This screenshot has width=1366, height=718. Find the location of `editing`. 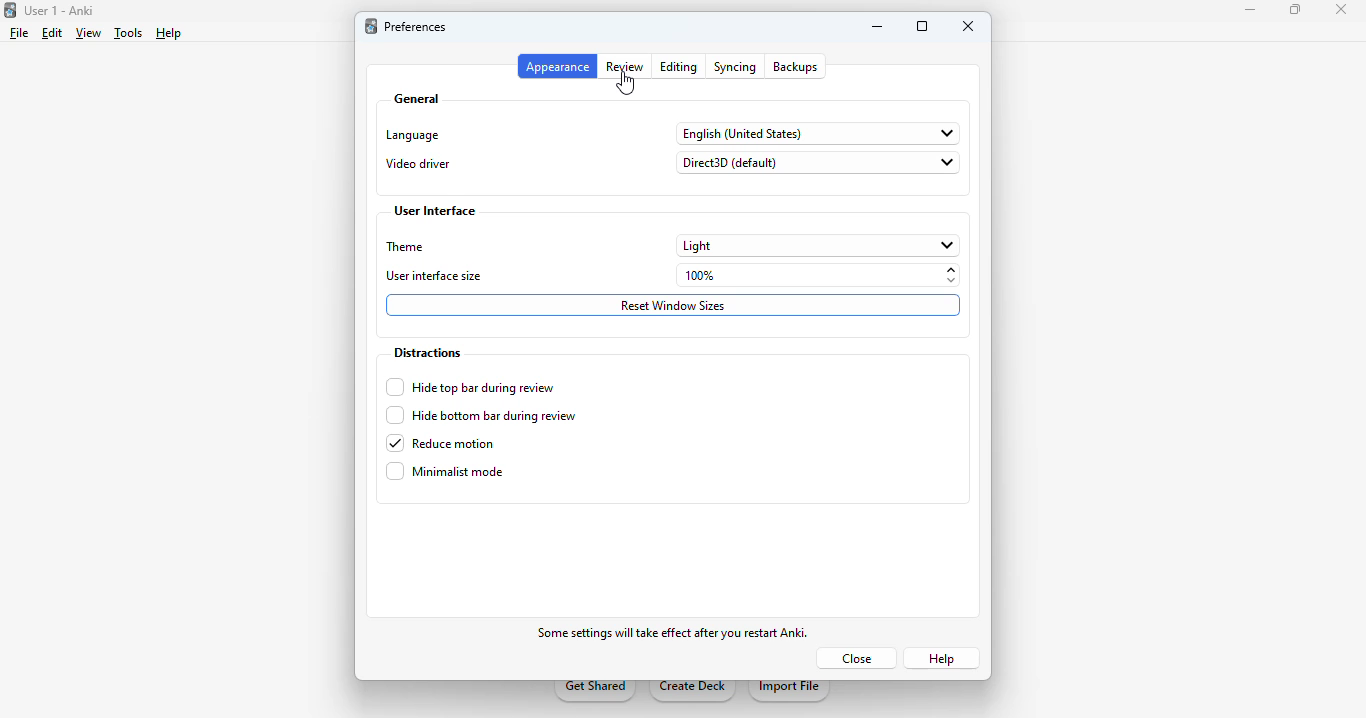

editing is located at coordinates (679, 67).